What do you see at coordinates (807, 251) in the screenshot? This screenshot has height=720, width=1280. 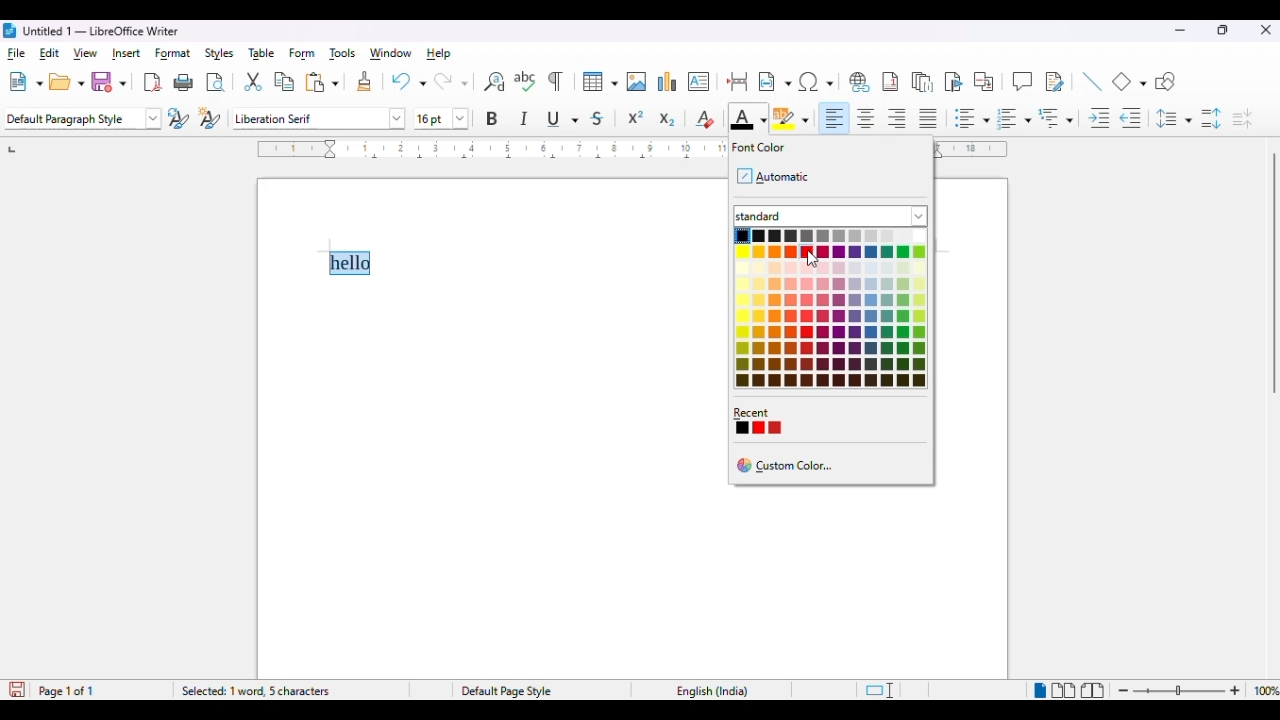 I see `red color` at bounding box center [807, 251].